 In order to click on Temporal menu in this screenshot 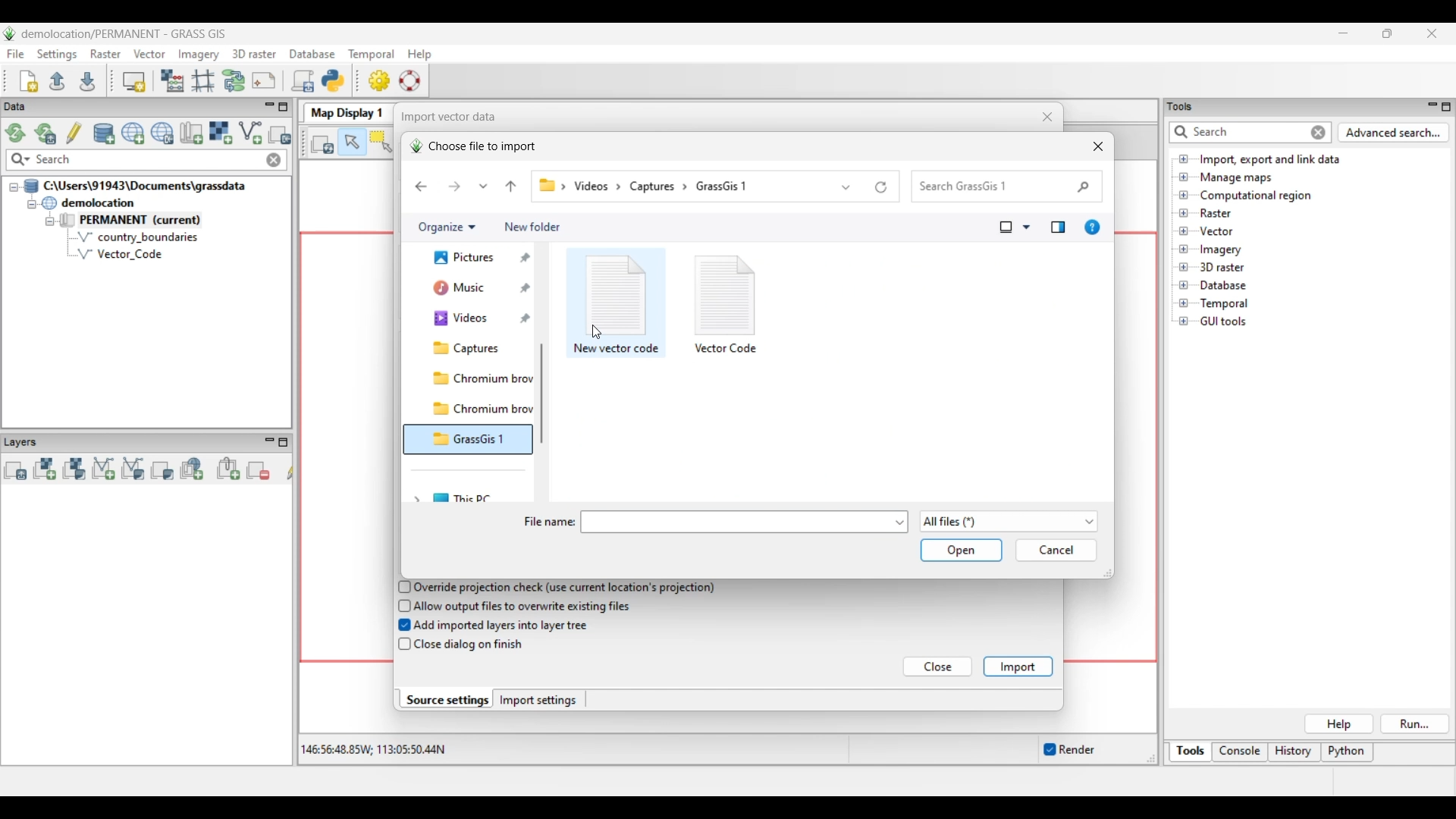, I will do `click(371, 55)`.